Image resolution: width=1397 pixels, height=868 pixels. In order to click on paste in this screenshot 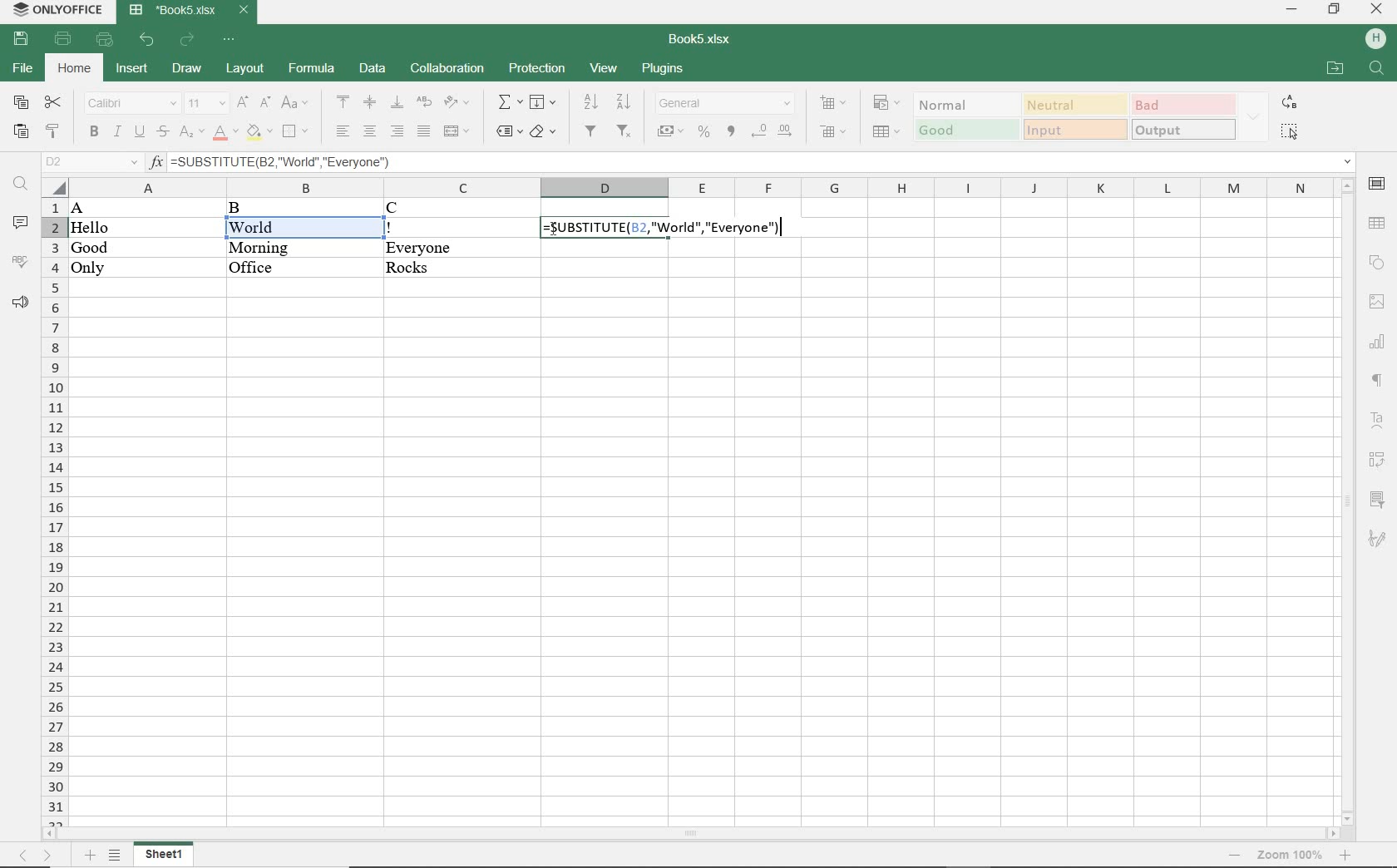, I will do `click(20, 133)`.